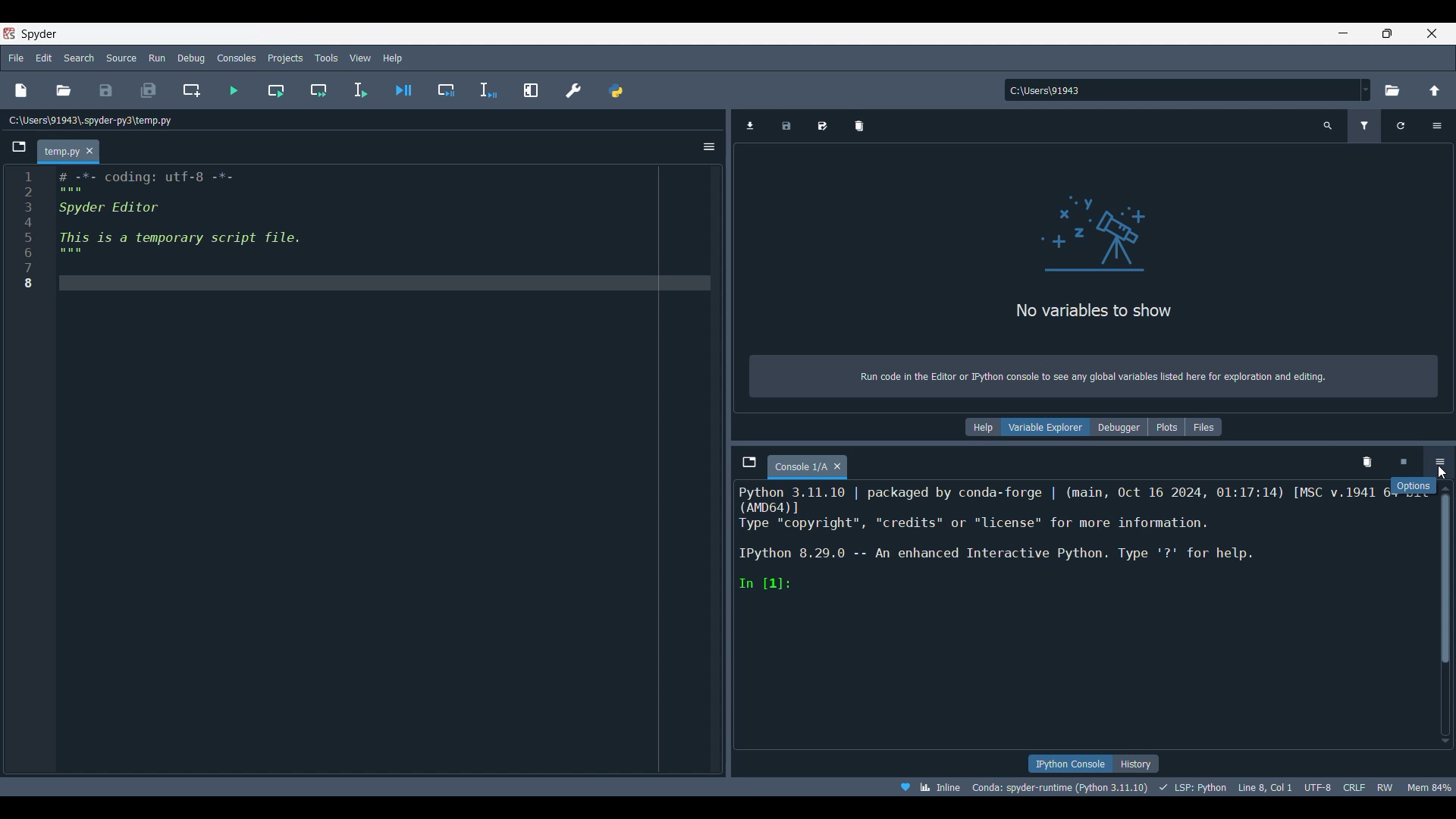  I want to click on Software name, so click(40, 34).